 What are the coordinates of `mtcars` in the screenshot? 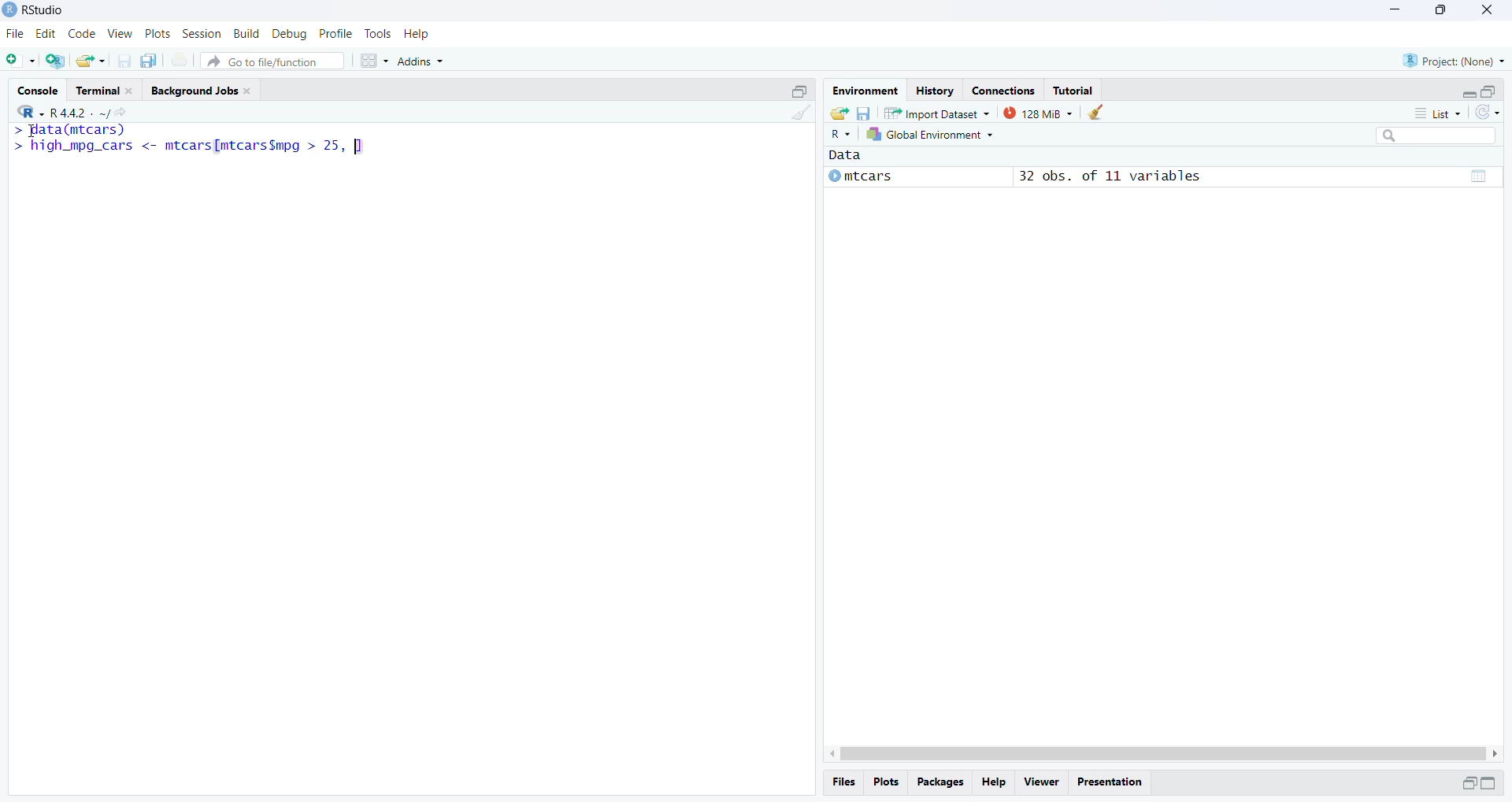 It's located at (860, 176).